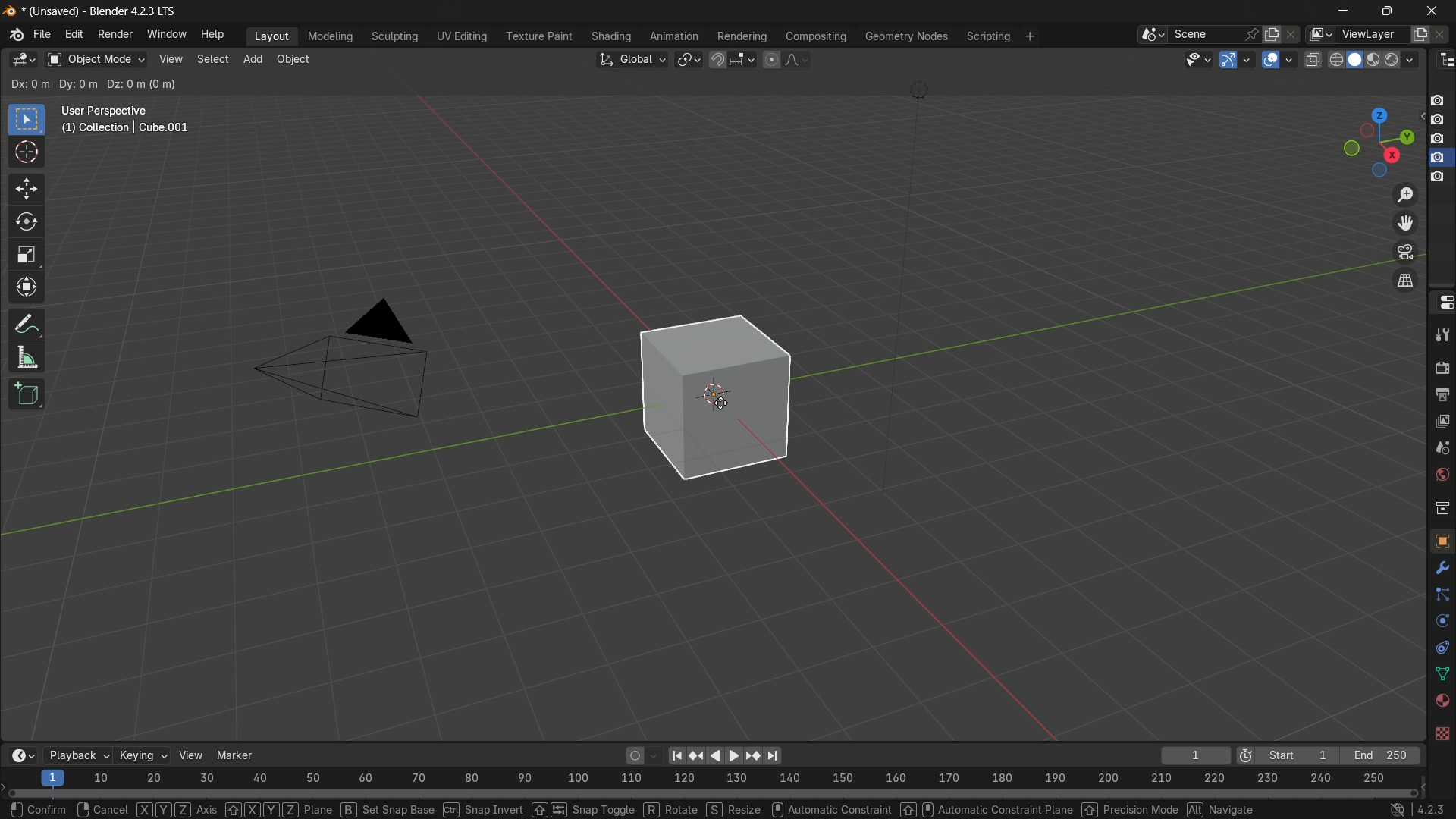 The height and width of the screenshot is (819, 1456). I want to click on object, so click(1439, 540).